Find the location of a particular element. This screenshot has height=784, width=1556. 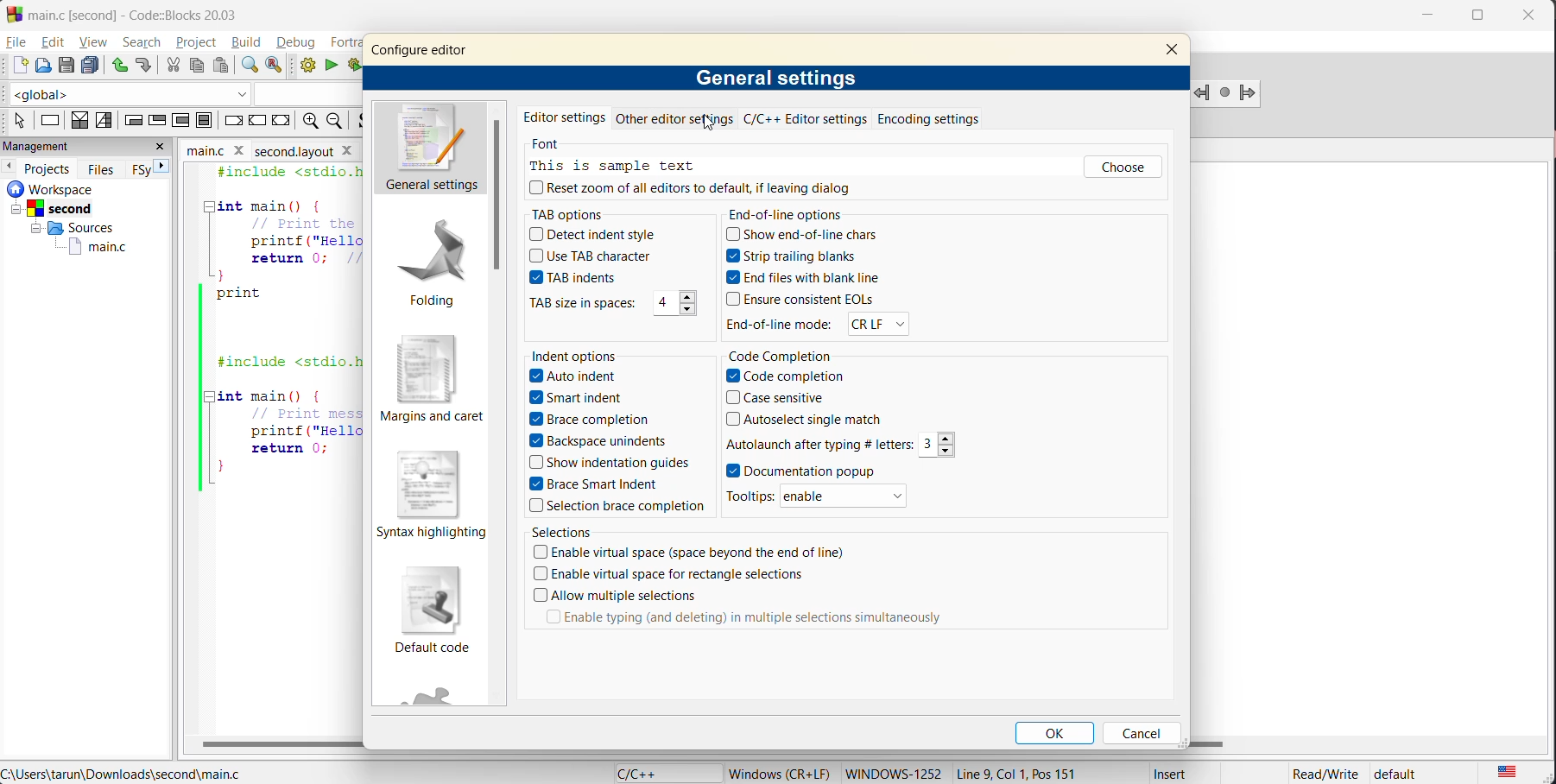

files is located at coordinates (104, 168).